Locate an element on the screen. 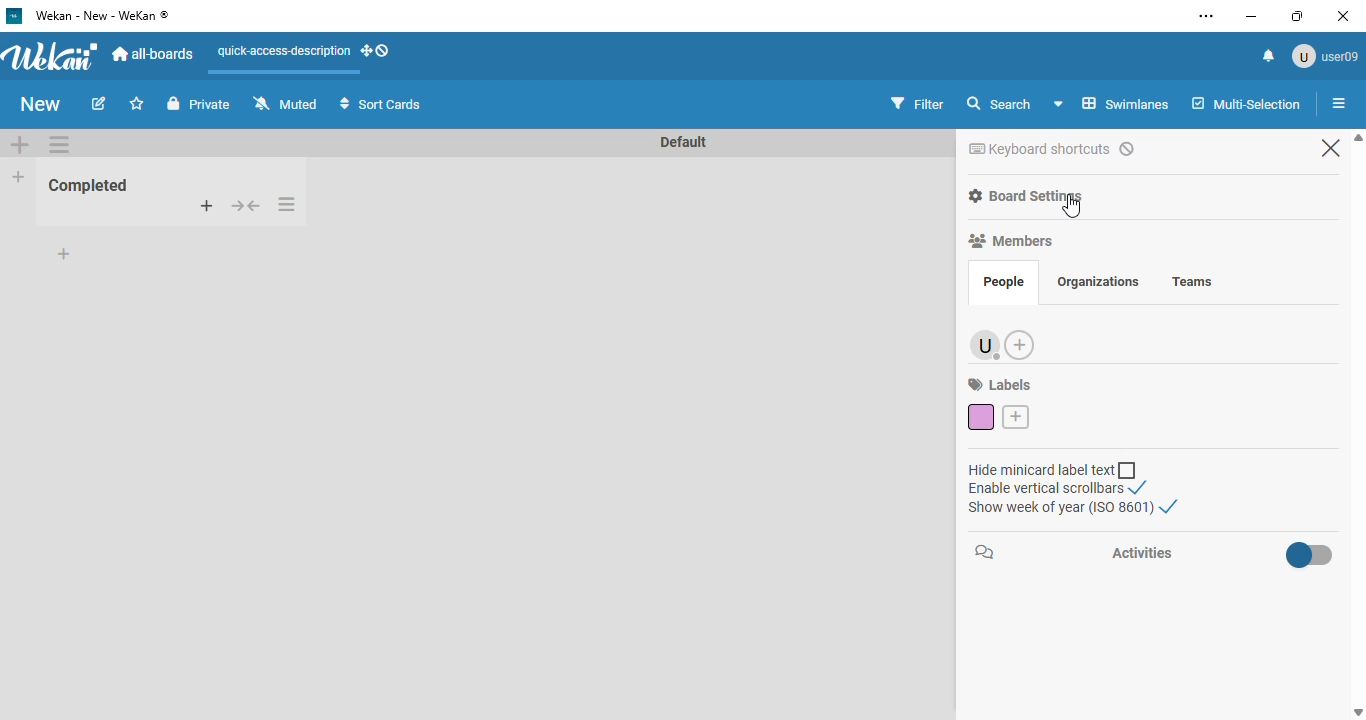 Image resolution: width=1366 pixels, height=720 pixels. wekan is located at coordinates (53, 57).